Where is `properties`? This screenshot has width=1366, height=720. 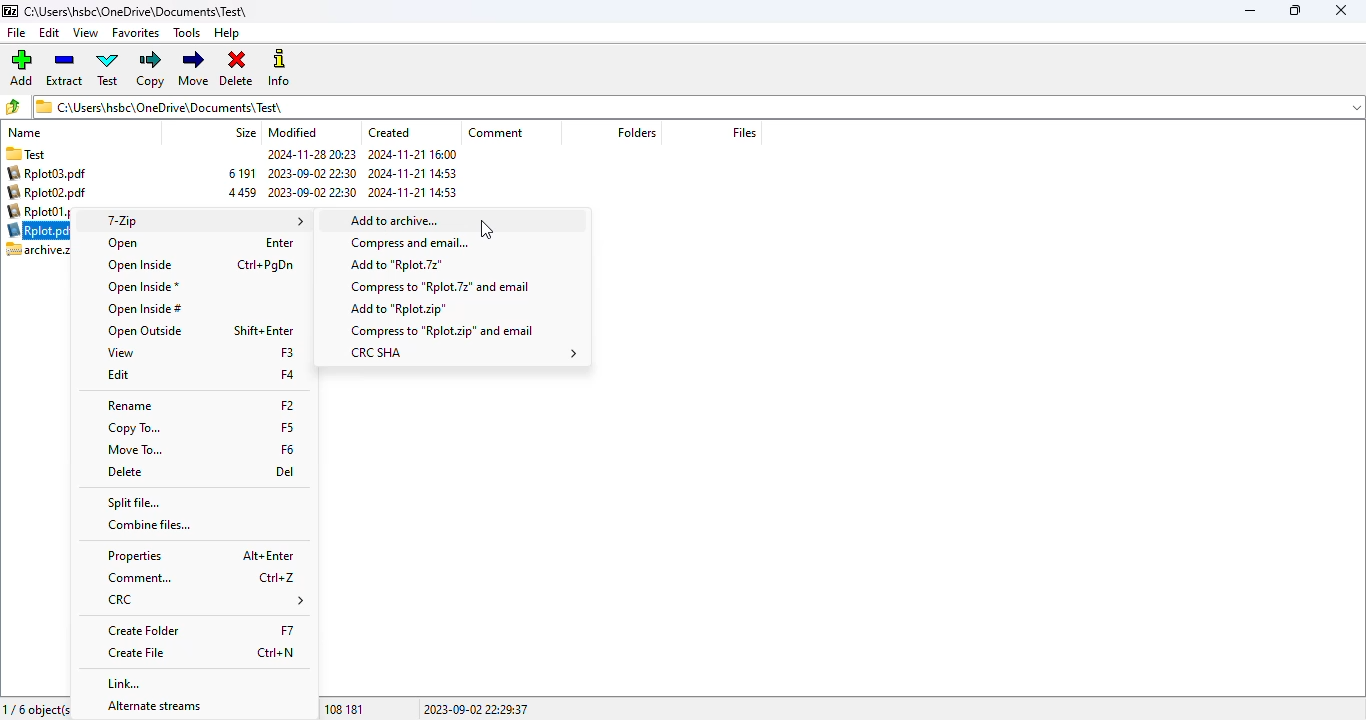 properties is located at coordinates (135, 556).